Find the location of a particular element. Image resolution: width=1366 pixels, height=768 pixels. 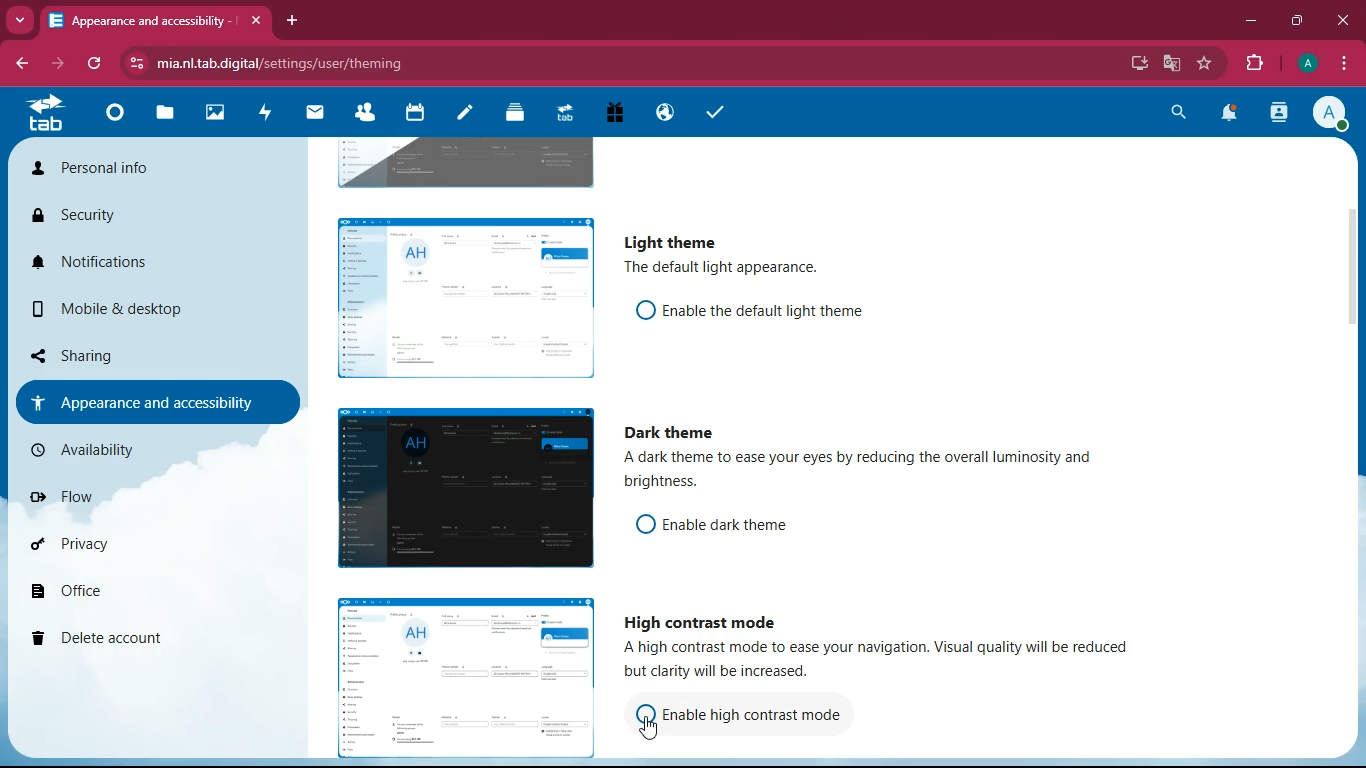

availability is located at coordinates (135, 448).